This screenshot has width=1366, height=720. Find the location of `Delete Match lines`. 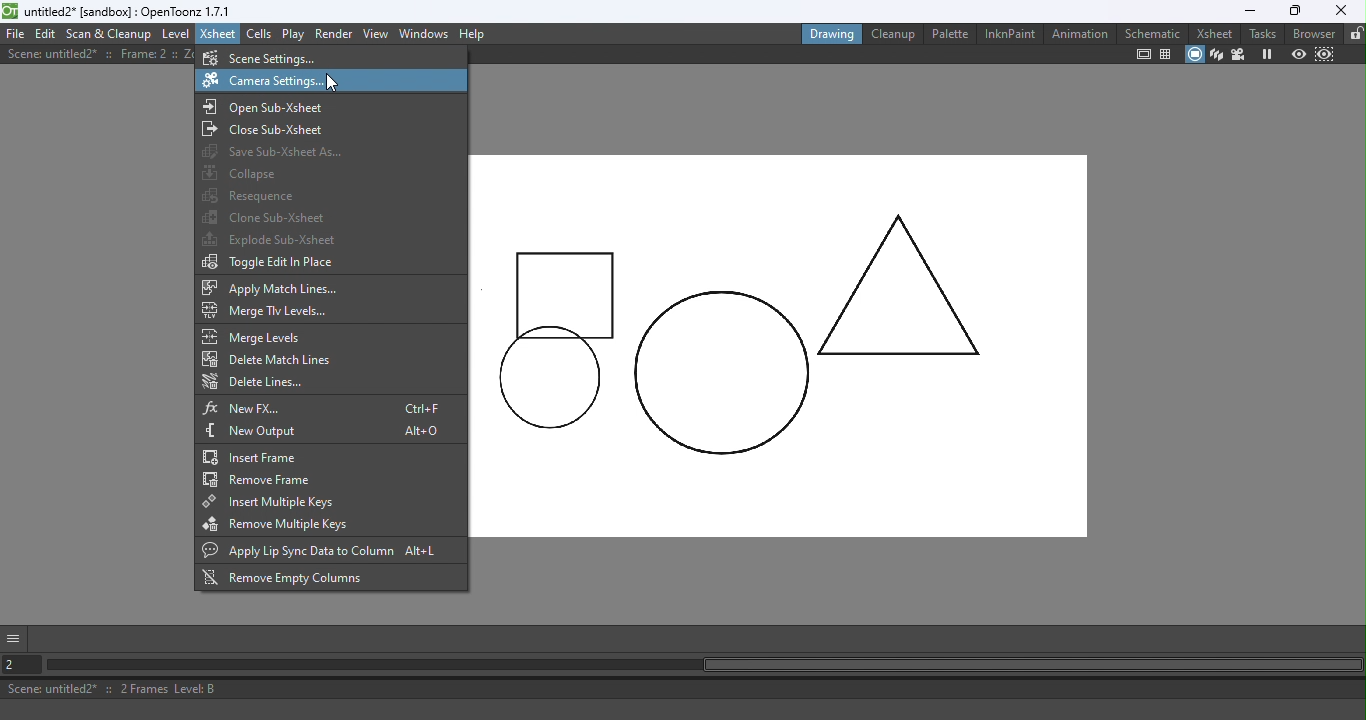

Delete Match lines is located at coordinates (265, 359).